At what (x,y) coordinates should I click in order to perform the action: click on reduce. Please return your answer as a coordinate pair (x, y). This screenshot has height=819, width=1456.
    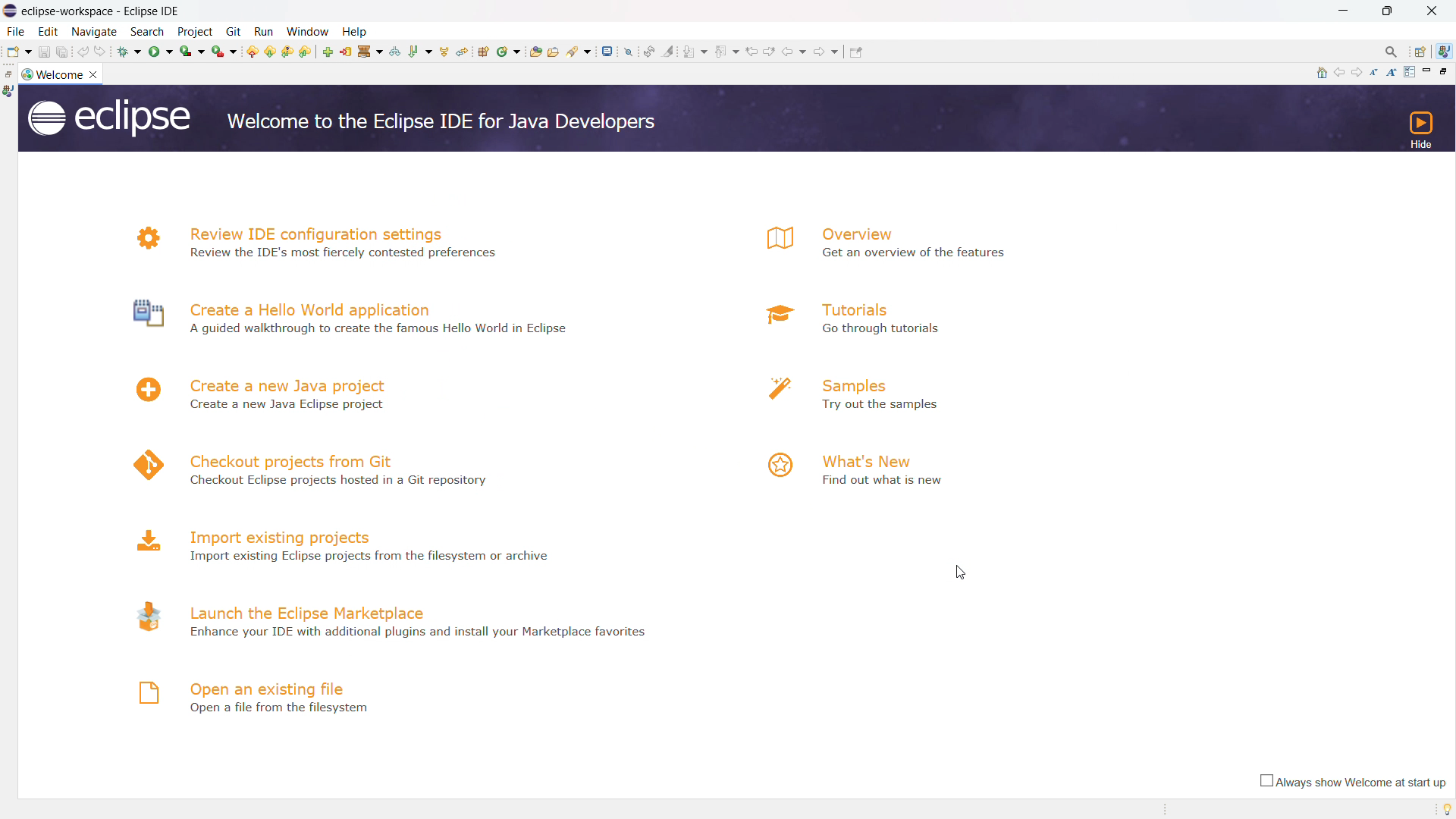
    Looking at the image, I should click on (1376, 72).